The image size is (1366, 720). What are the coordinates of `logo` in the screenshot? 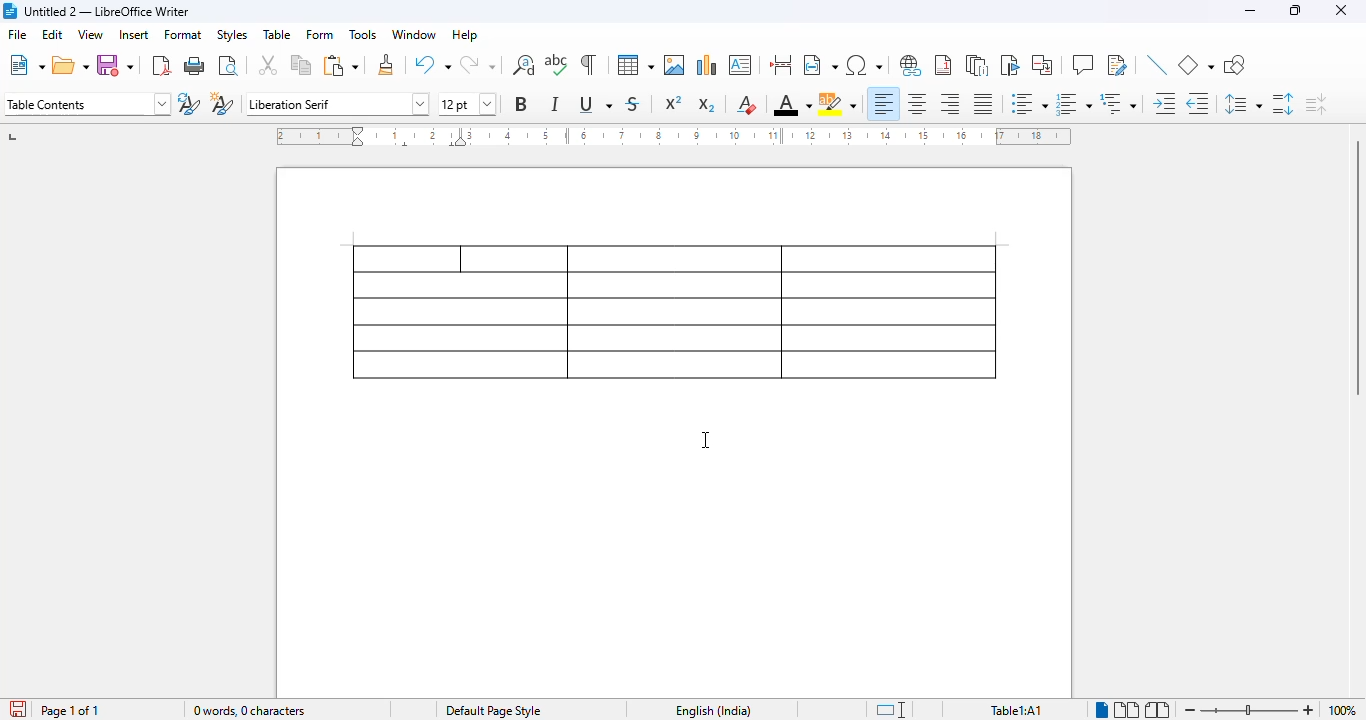 It's located at (9, 11).